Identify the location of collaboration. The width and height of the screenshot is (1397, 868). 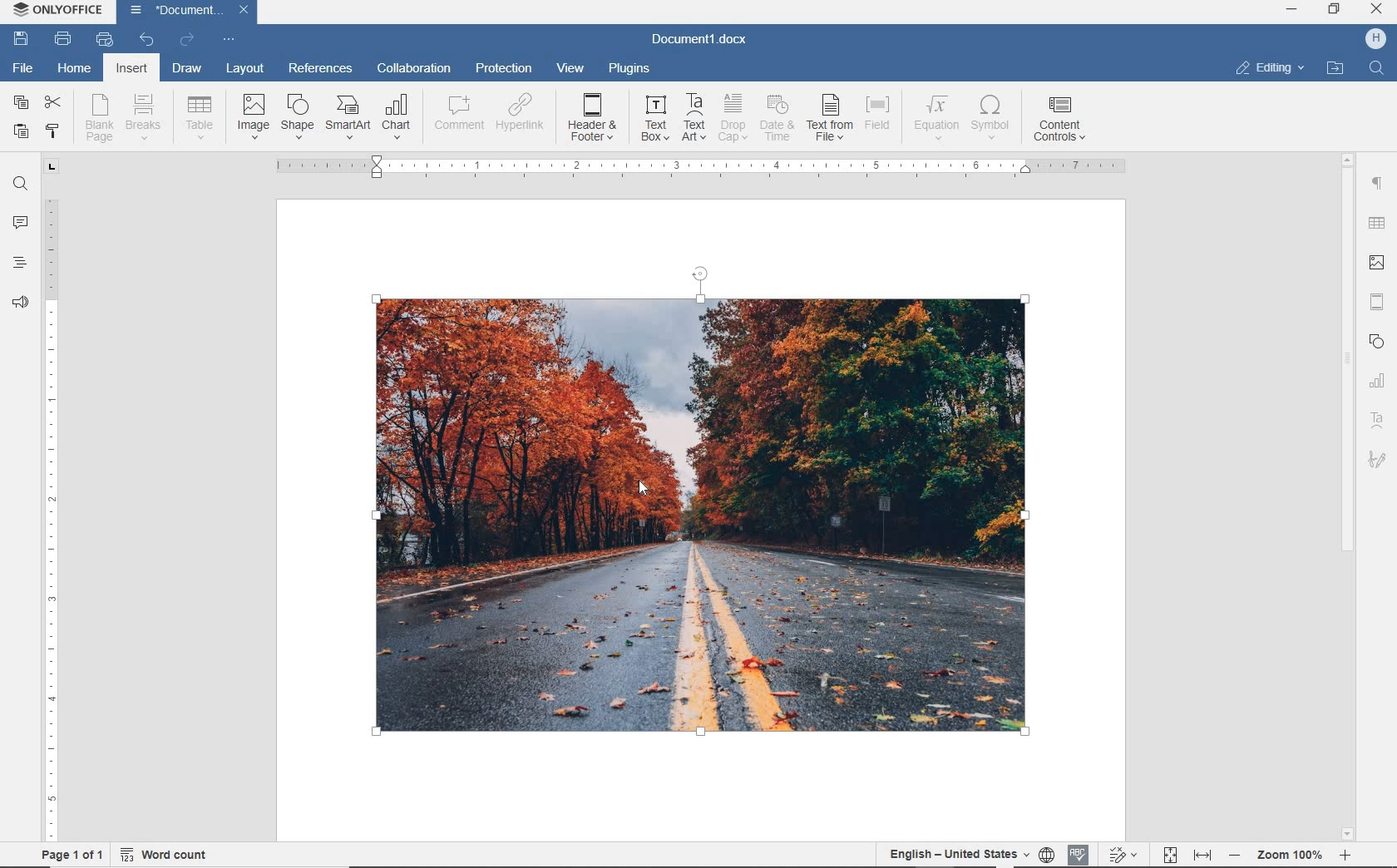
(415, 67).